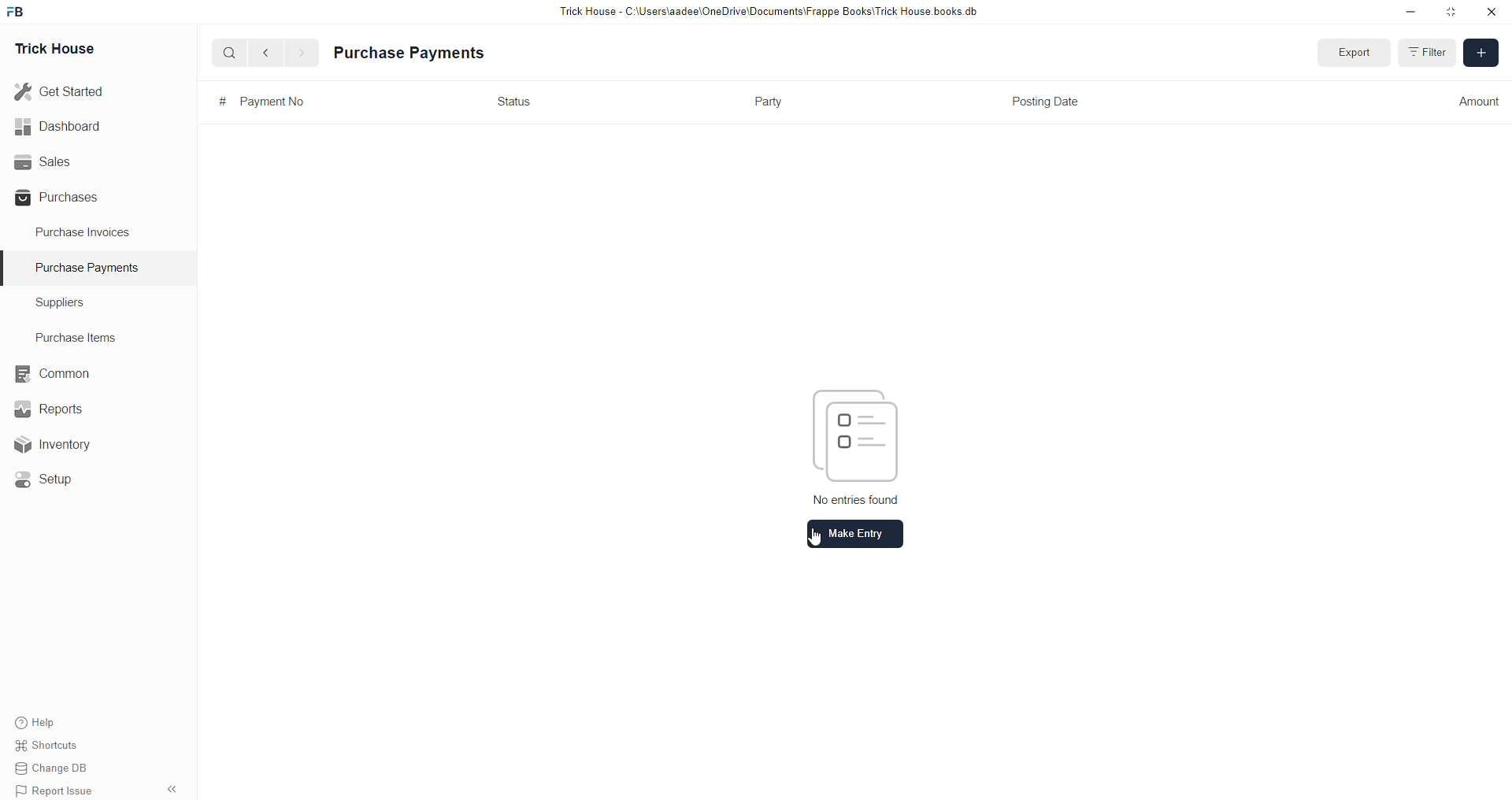  Describe the element at coordinates (256, 102) in the screenshot. I see `# Payment No` at that location.